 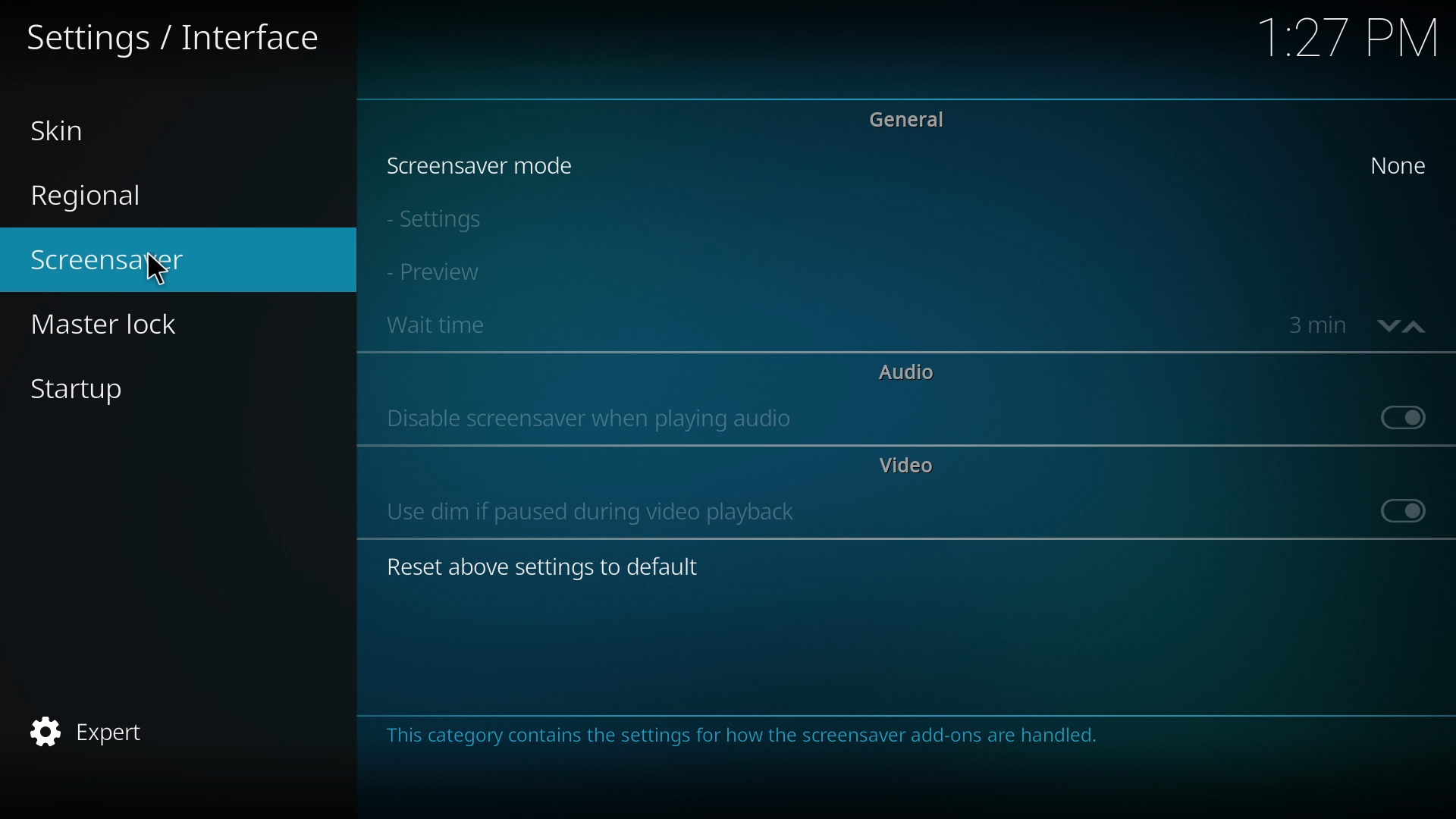 What do you see at coordinates (1385, 329) in the screenshot?
I see `decrease time` at bounding box center [1385, 329].